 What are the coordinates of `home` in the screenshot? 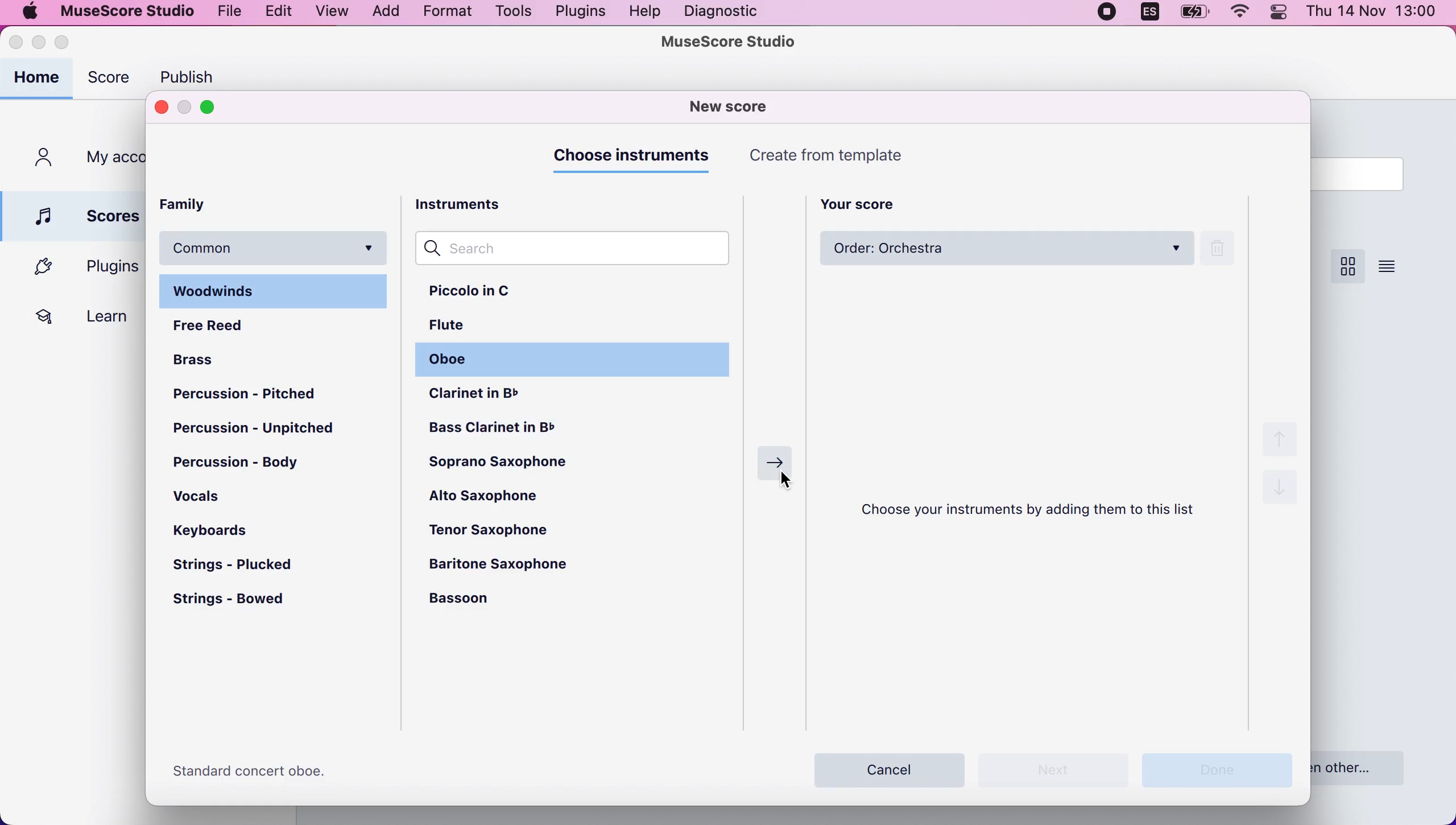 It's located at (39, 79).